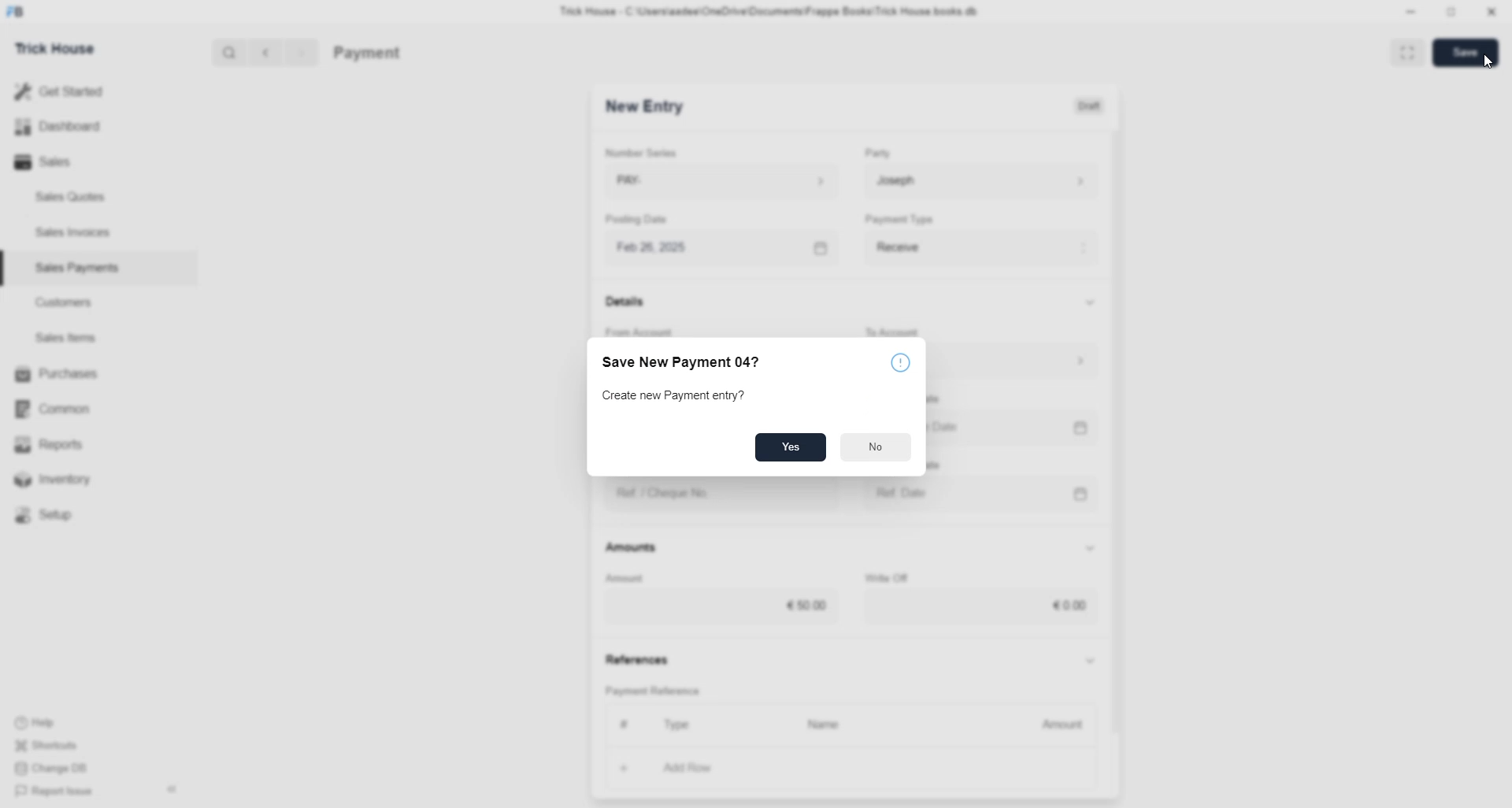 Image resolution: width=1512 pixels, height=808 pixels. What do you see at coordinates (38, 718) in the screenshot?
I see `Help` at bounding box center [38, 718].